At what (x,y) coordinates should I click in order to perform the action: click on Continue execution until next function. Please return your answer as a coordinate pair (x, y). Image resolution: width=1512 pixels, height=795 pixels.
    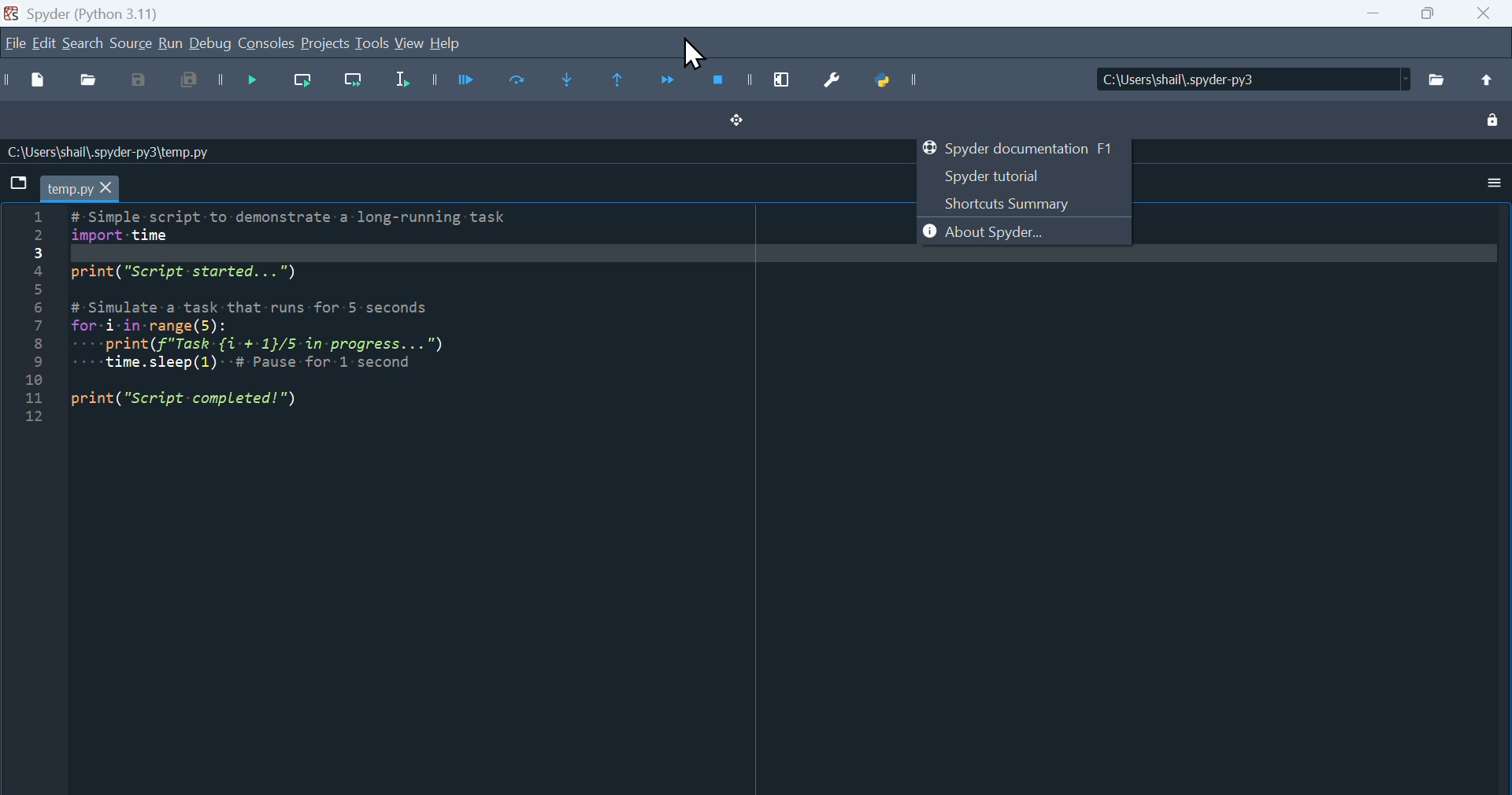
    Looking at the image, I should click on (671, 79).